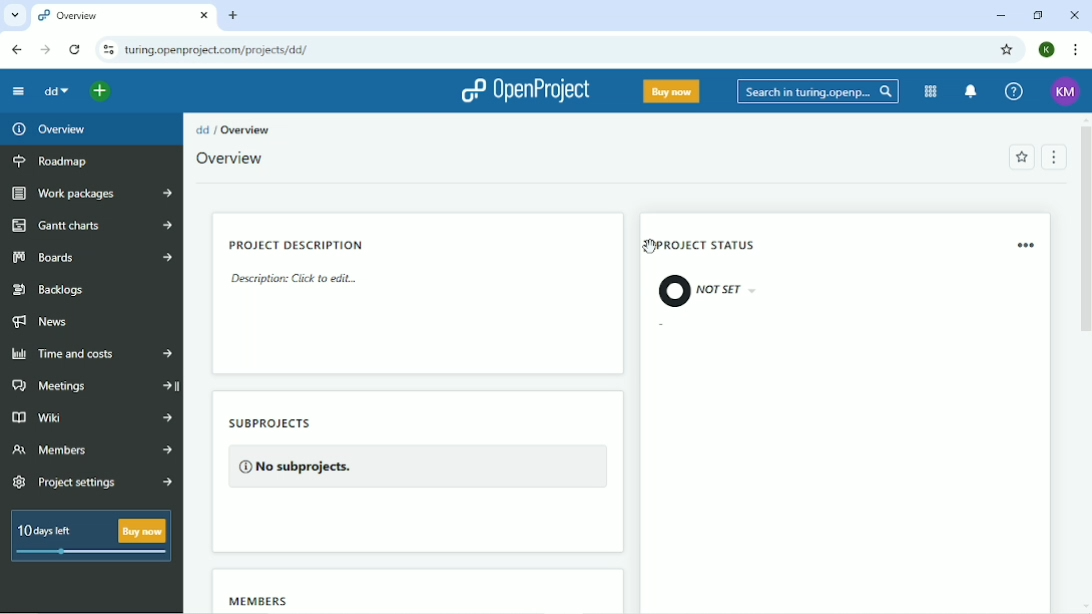 The height and width of the screenshot is (614, 1092). I want to click on dd, so click(56, 92).